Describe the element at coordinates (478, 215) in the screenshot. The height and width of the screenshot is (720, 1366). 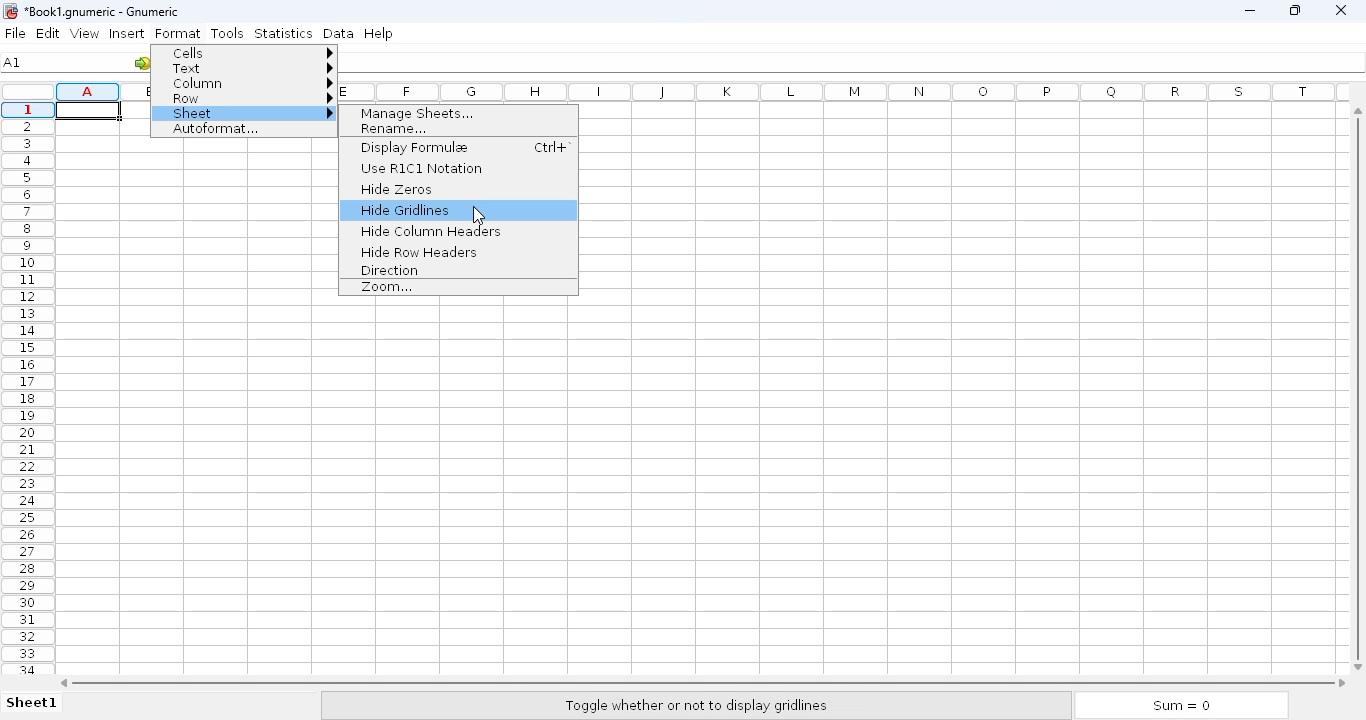
I see `cursor` at that location.